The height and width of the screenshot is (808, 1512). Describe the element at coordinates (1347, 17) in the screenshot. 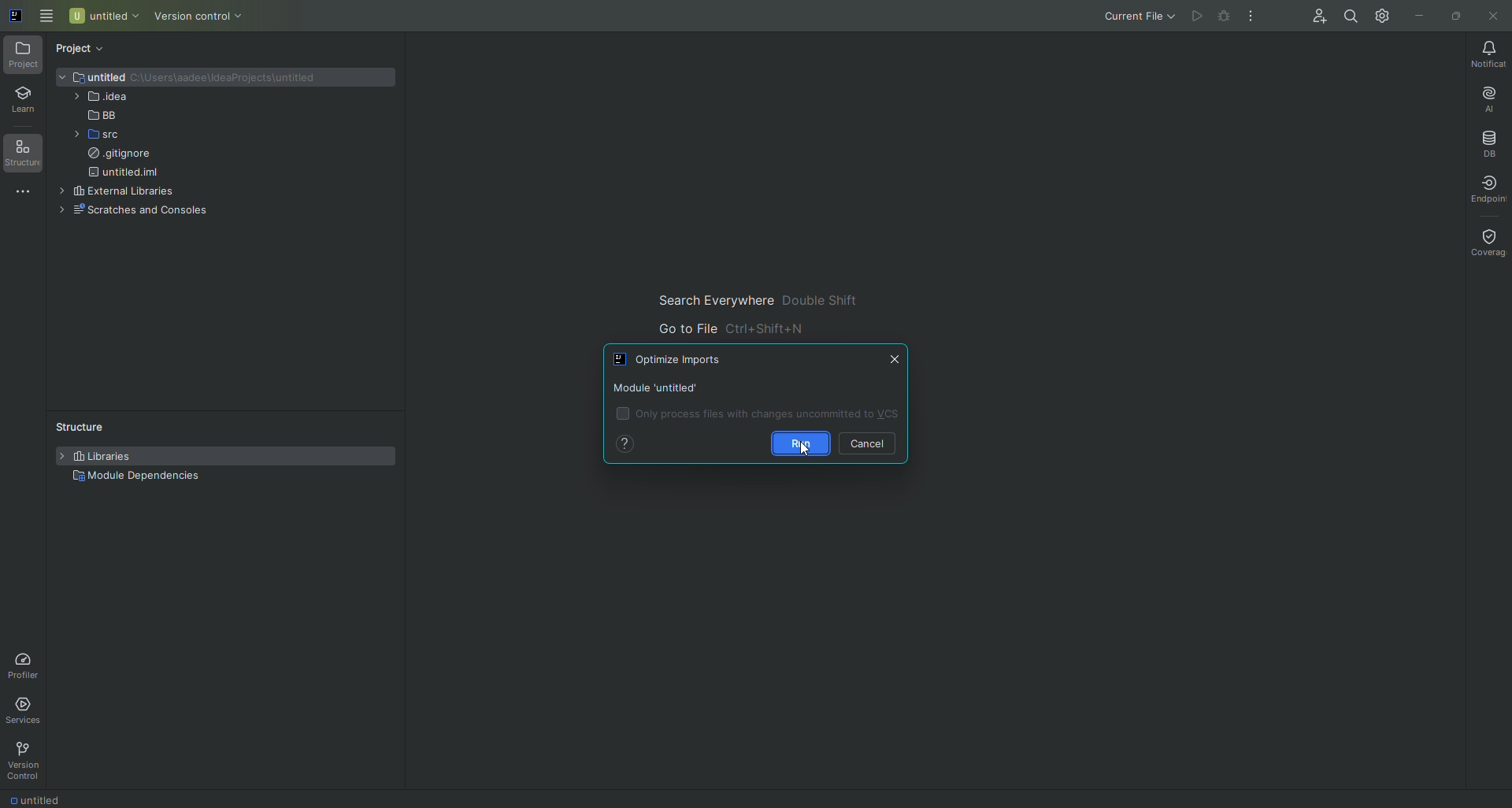

I see `Search` at that location.